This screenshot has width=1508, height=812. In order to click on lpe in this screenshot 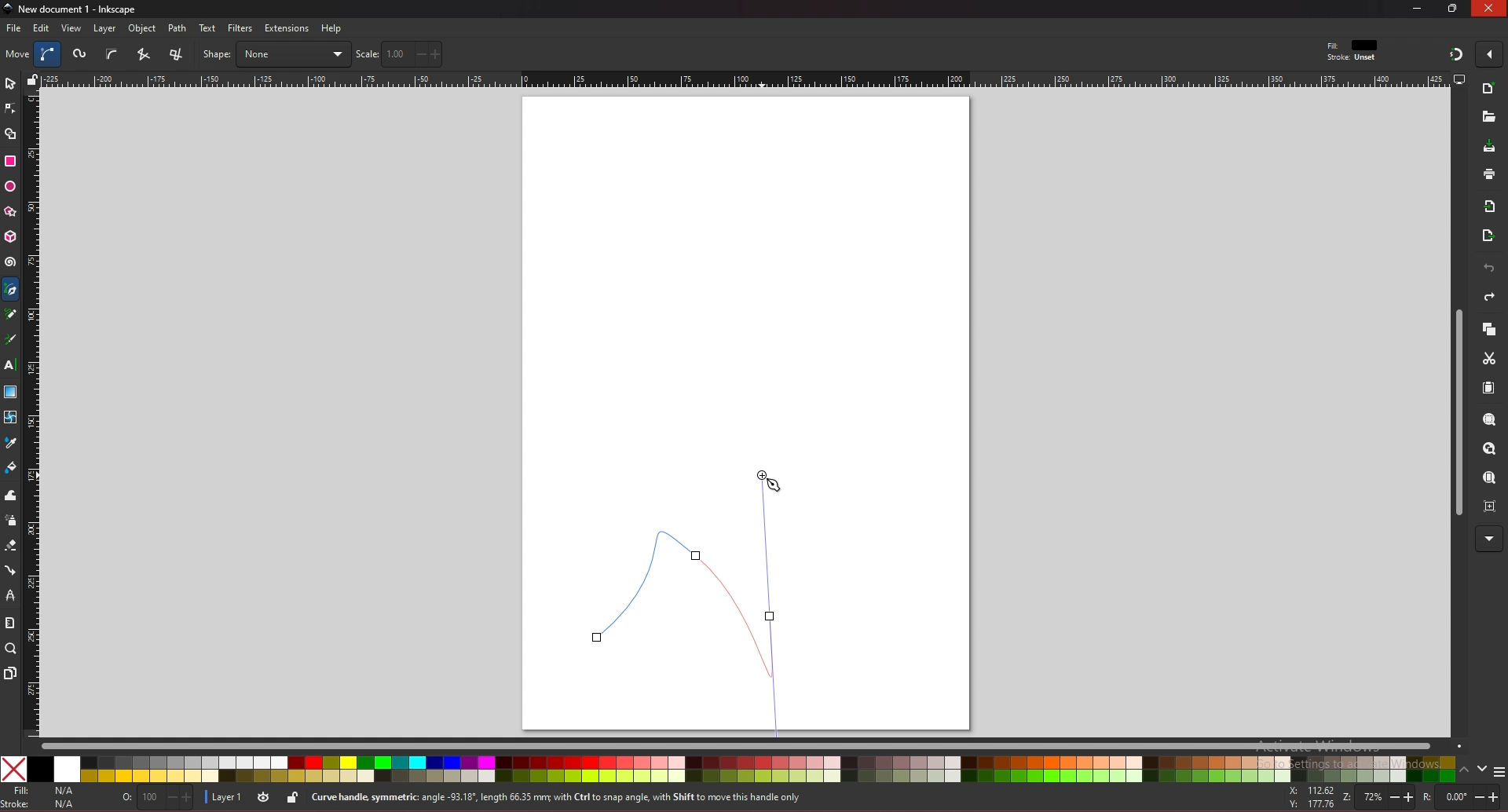, I will do `click(11, 594)`.